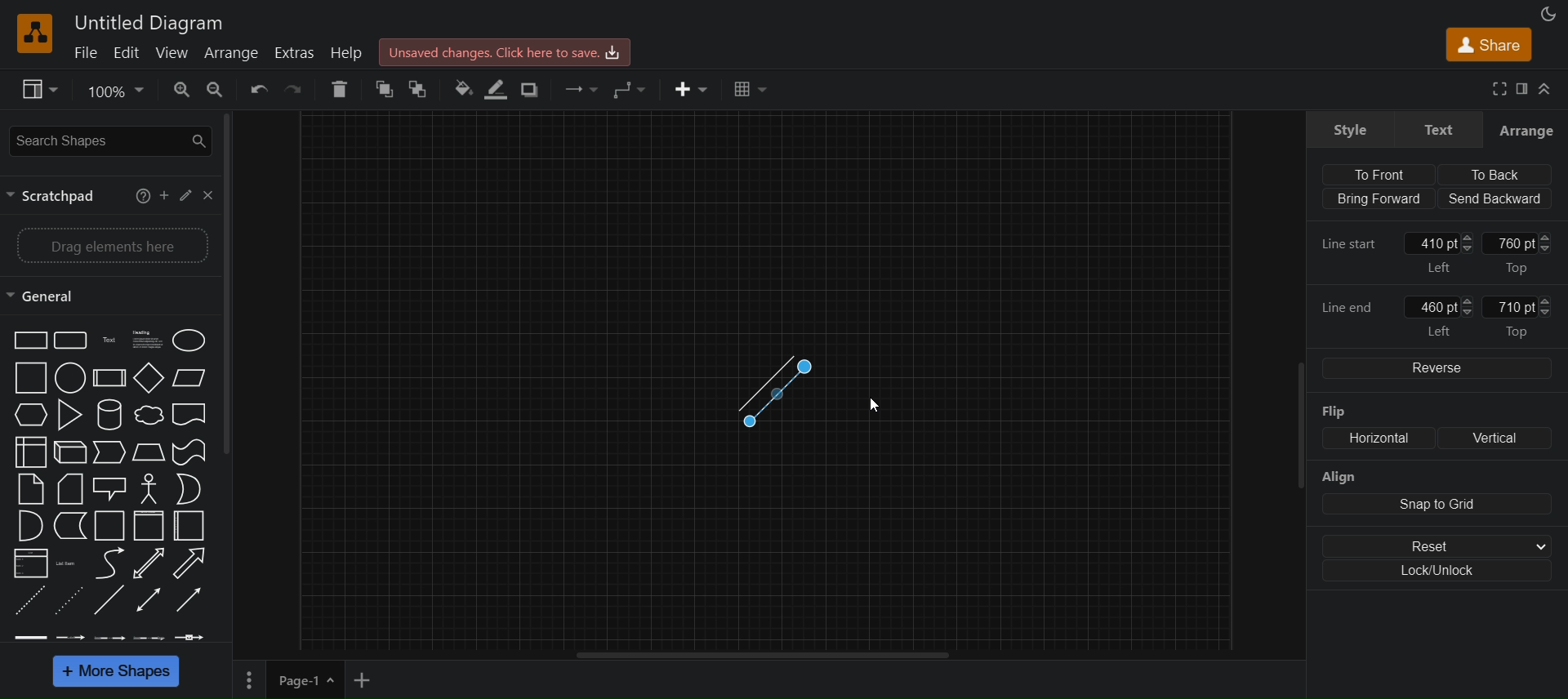 This screenshot has width=1568, height=699. Describe the element at coordinates (69, 488) in the screenshot. I see `Card` at that location.